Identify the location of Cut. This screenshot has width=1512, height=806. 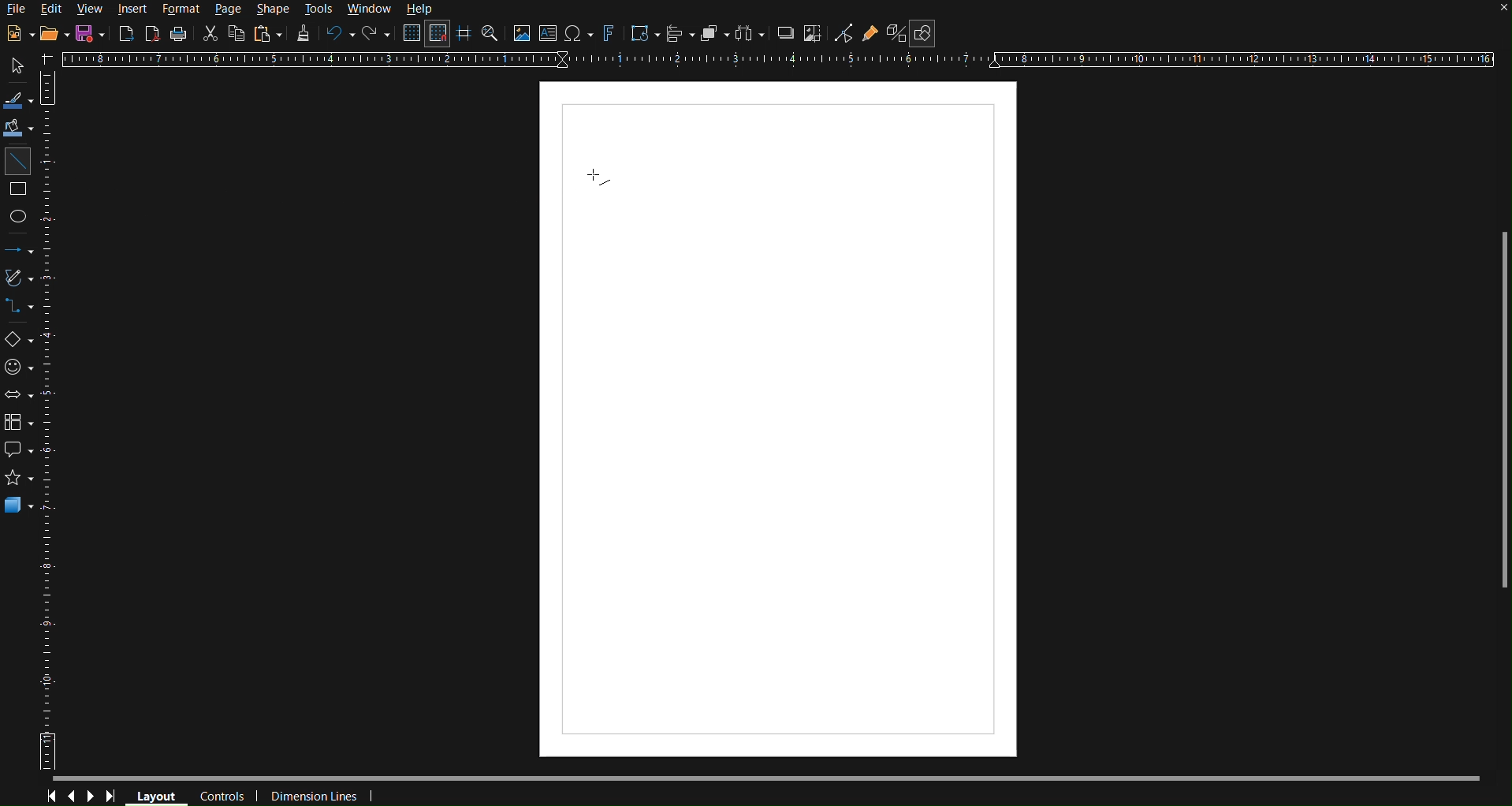
(210, 34).